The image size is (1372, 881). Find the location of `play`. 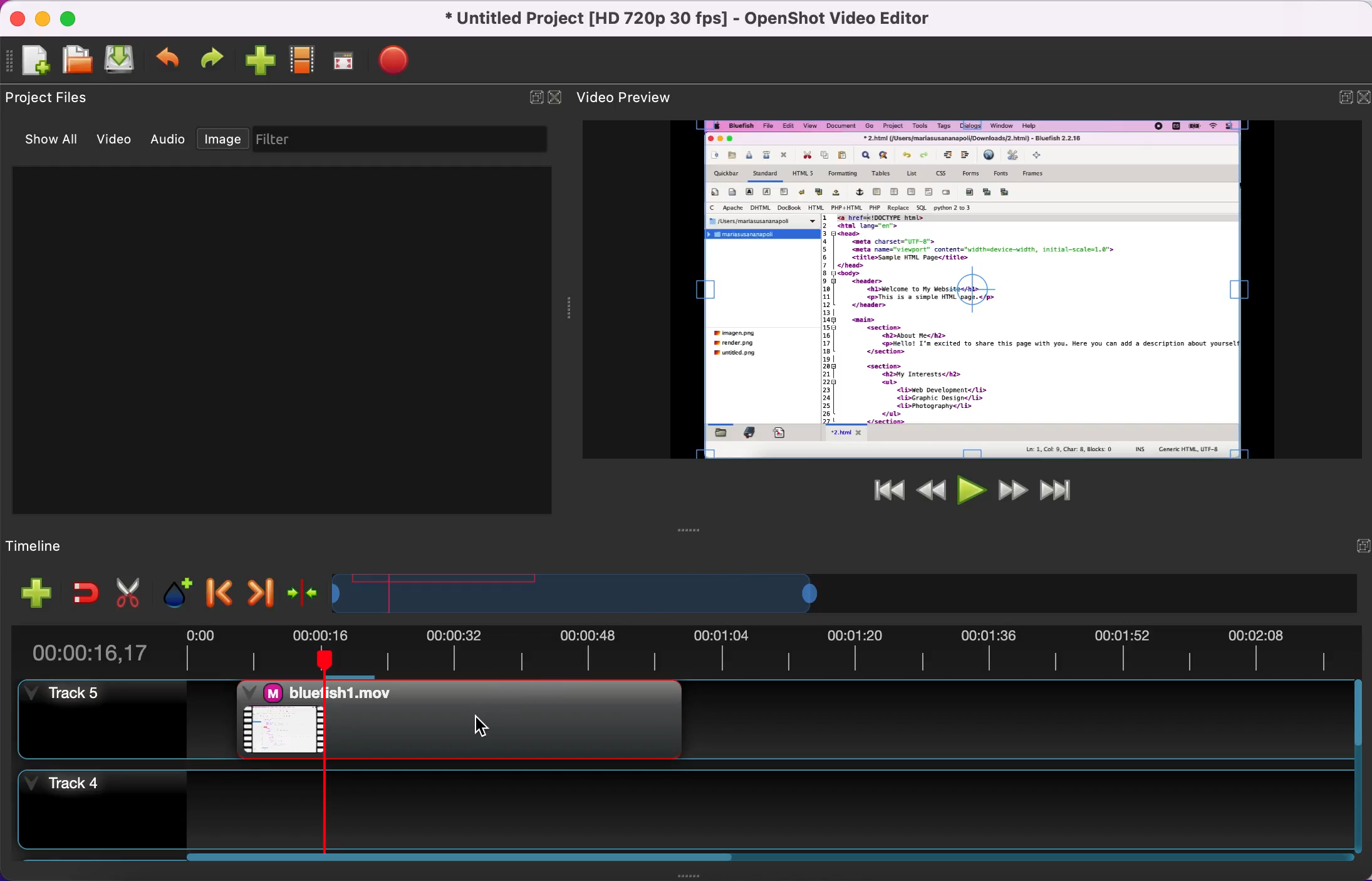

play is located at coordinates (969, 489).